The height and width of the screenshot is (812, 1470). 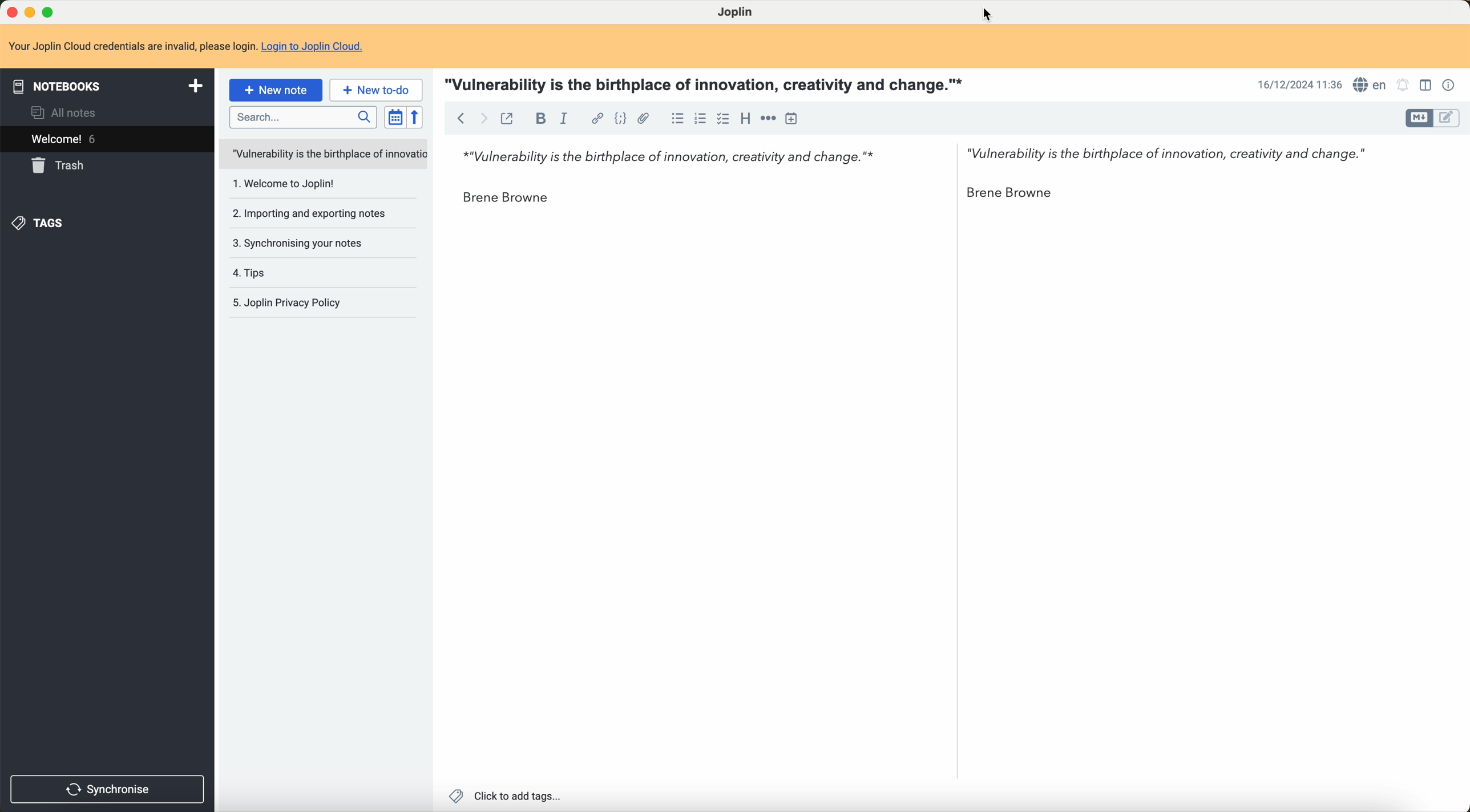 I want to click on new to-do, so click(x=375, y=91).